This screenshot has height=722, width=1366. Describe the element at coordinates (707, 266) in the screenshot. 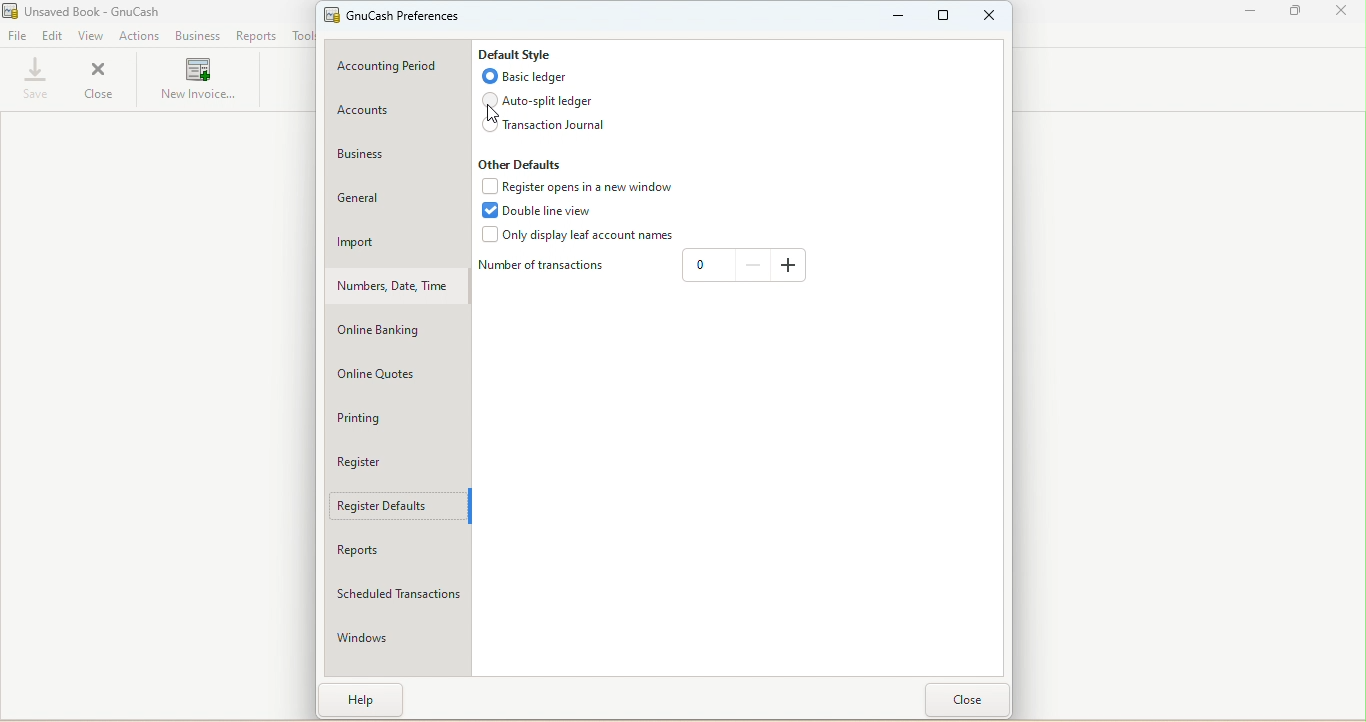

I see `Text box` at that location.